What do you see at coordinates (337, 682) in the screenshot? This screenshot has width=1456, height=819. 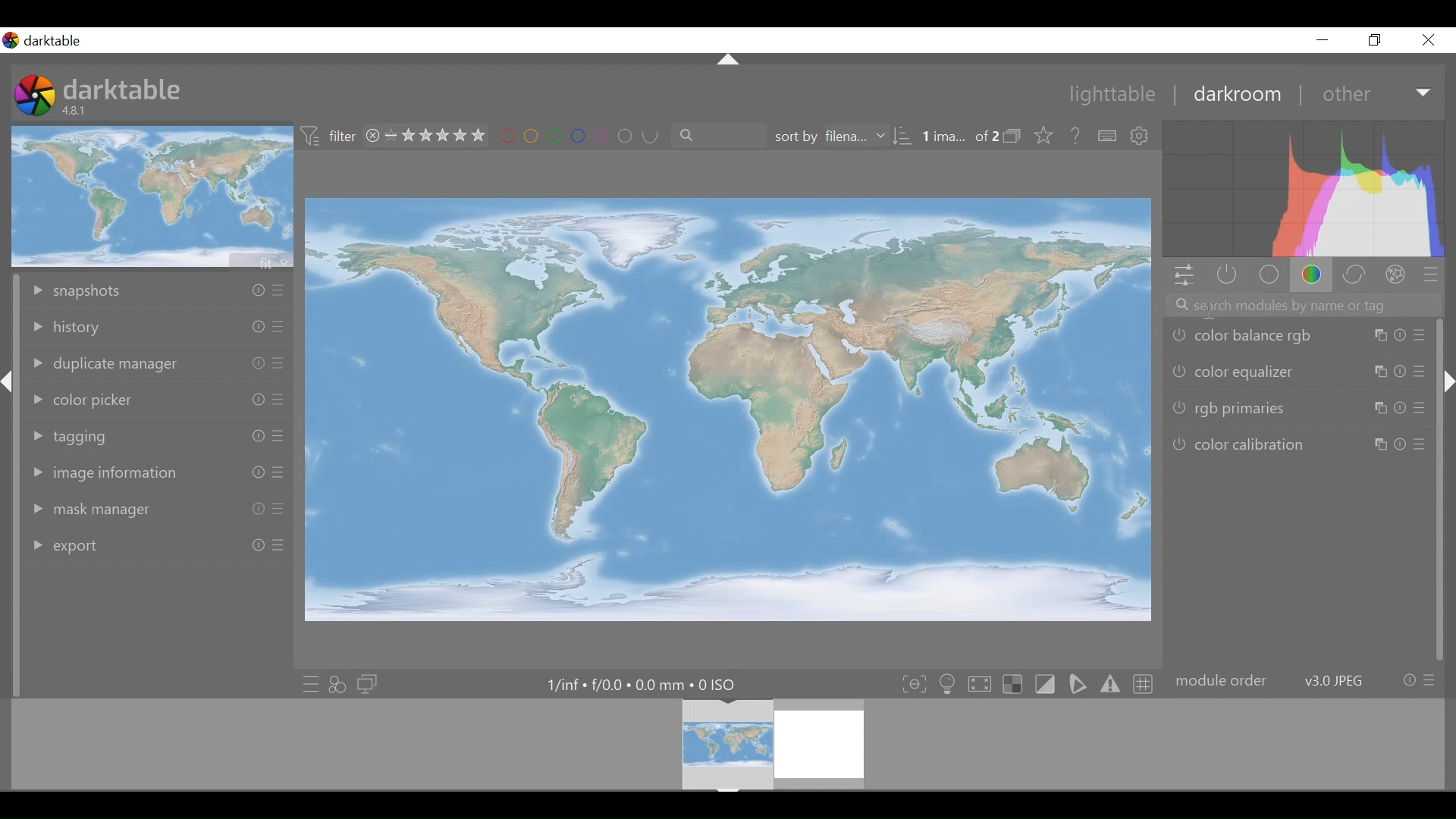 I see `quick access for applying any of styles` at bounding box center [337, 682].